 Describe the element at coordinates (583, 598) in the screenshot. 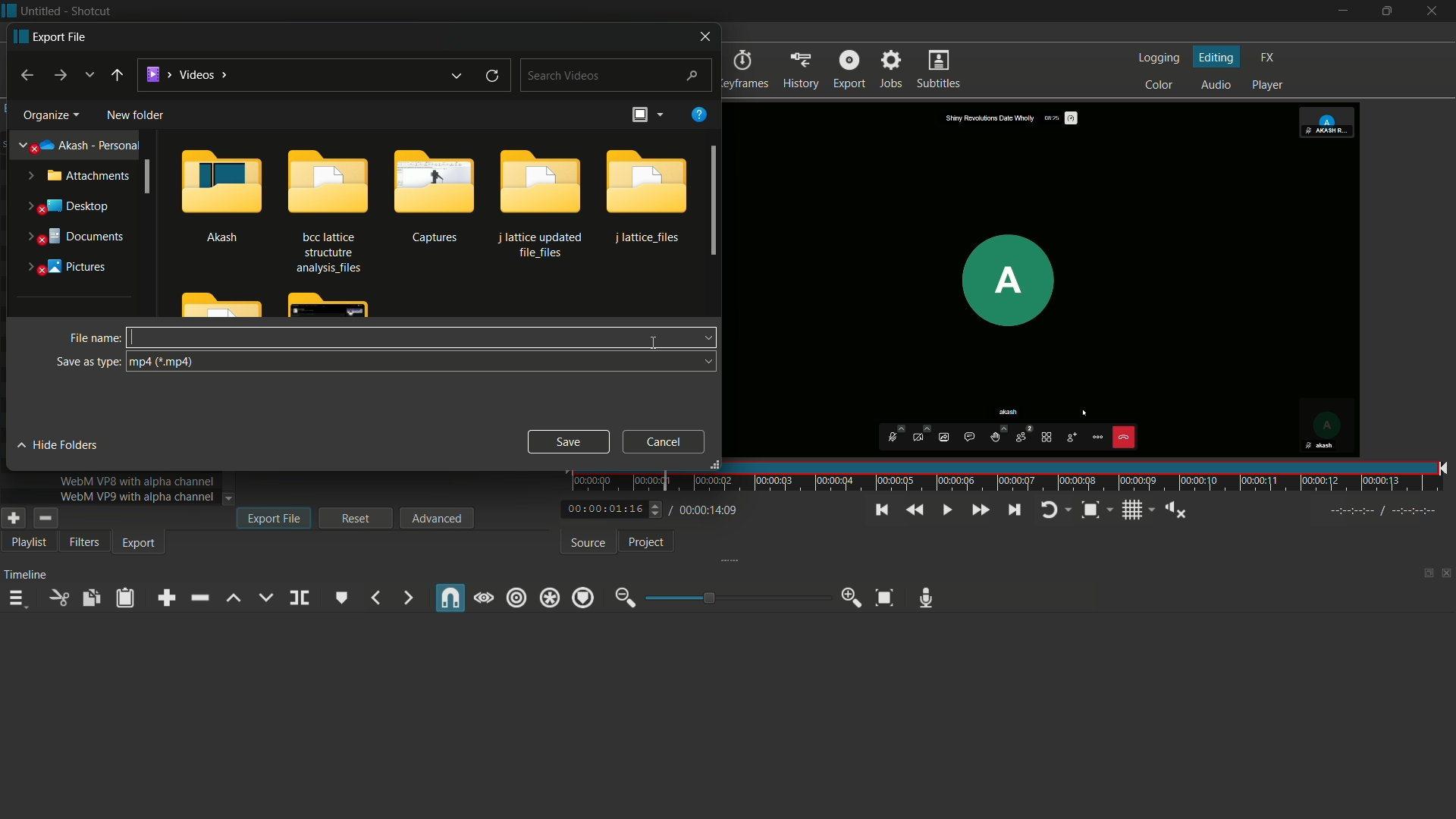

I see `ripple markers` at that location.